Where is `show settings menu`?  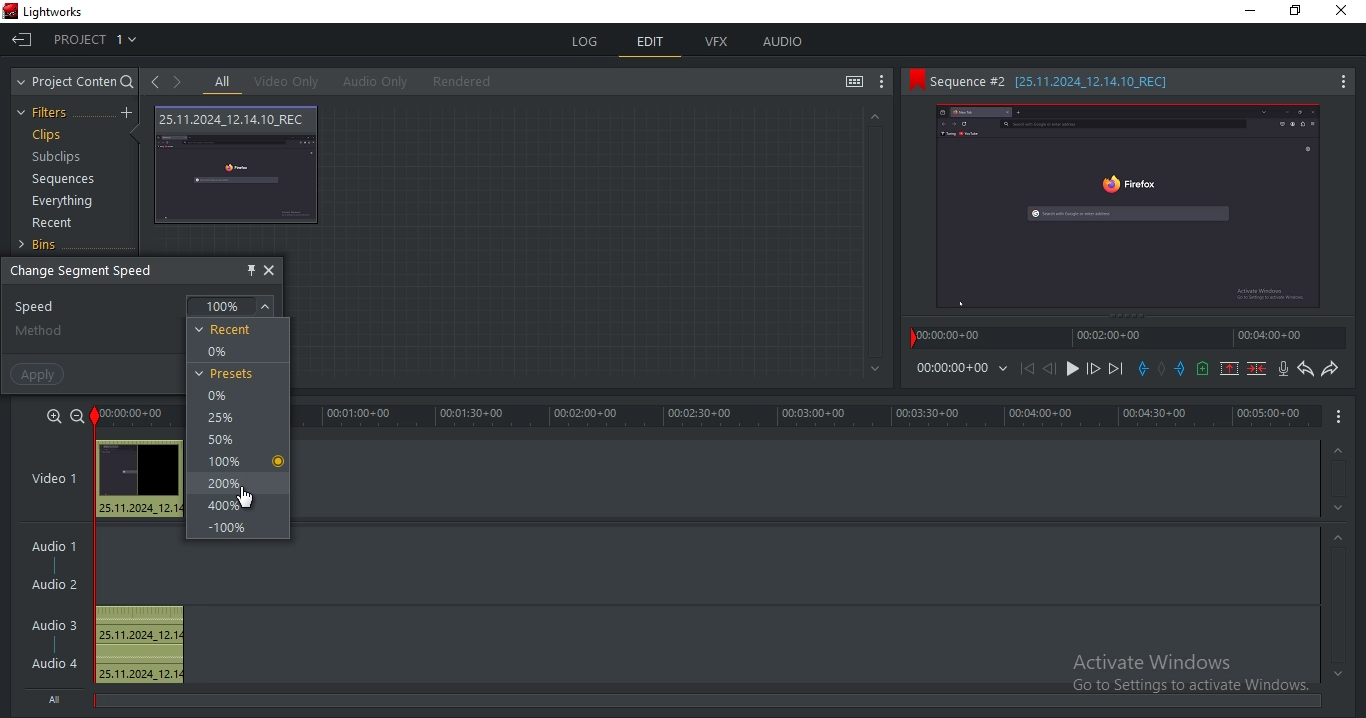 show settings menu is located at coordinates (884, 82).